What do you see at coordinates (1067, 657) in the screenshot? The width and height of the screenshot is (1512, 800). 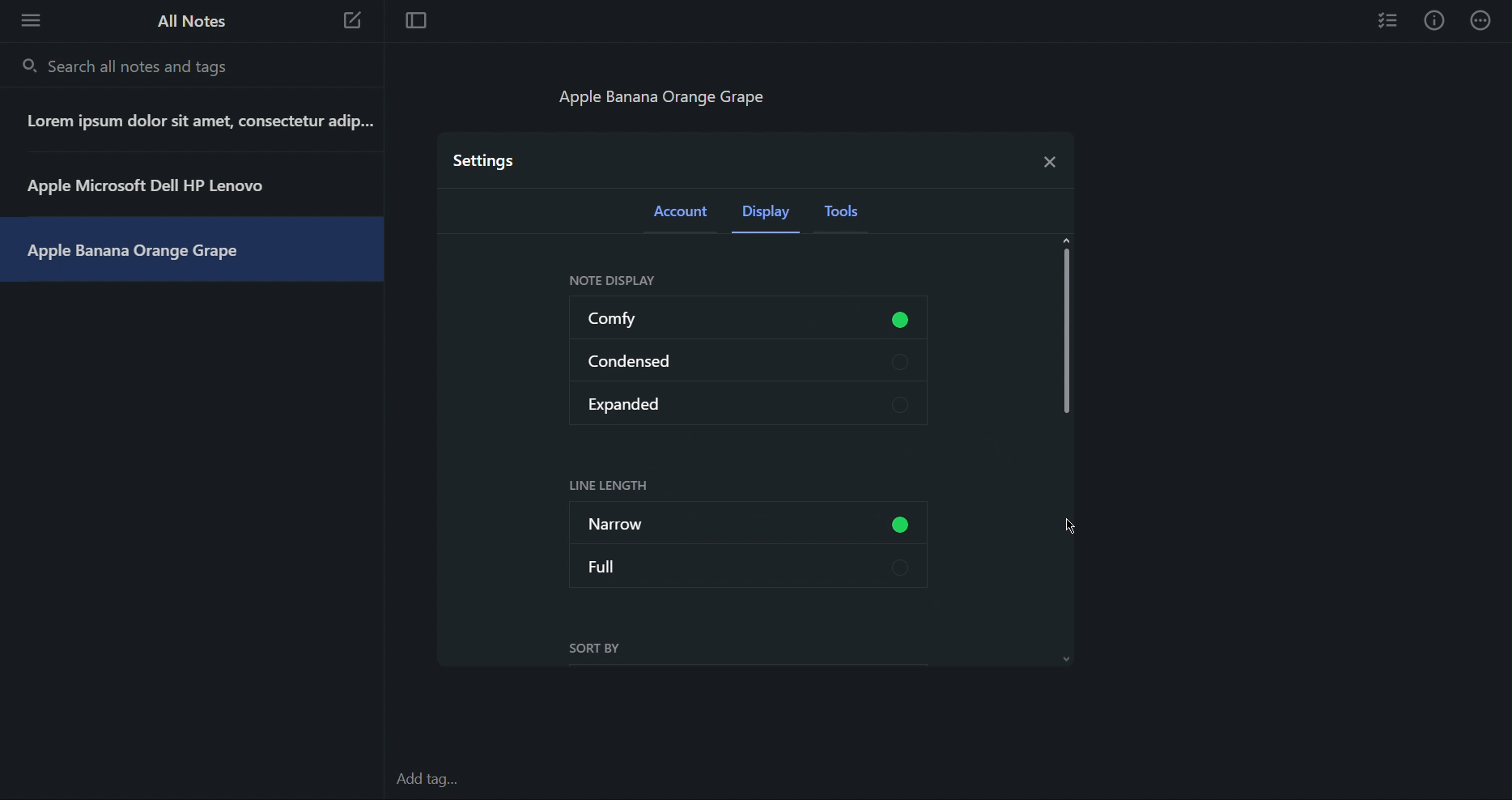 I see `scroll down` at bounding box center [1067, 657].